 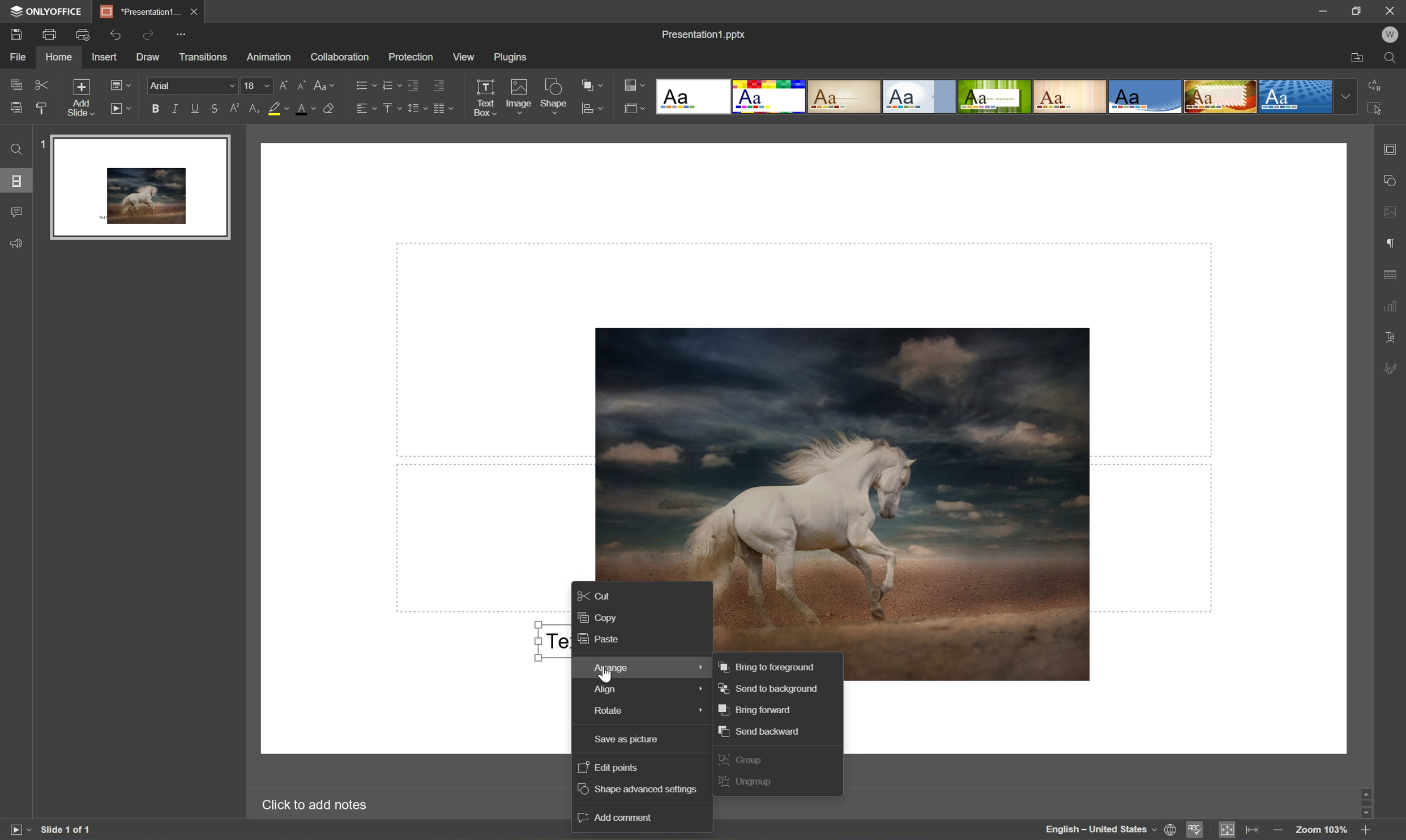 What do you see at coordinates (747, 783) in the screenshot?
I see `Ungroup` at bounding box center [747, 783].